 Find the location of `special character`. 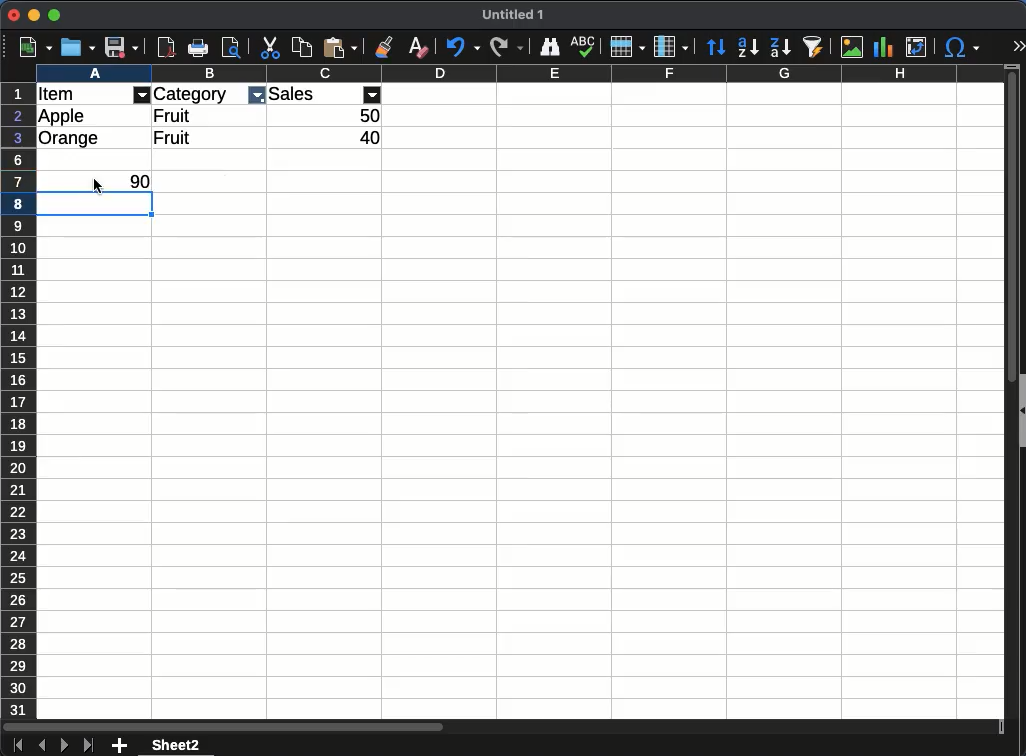

special character is located at coordinates (963, 49).